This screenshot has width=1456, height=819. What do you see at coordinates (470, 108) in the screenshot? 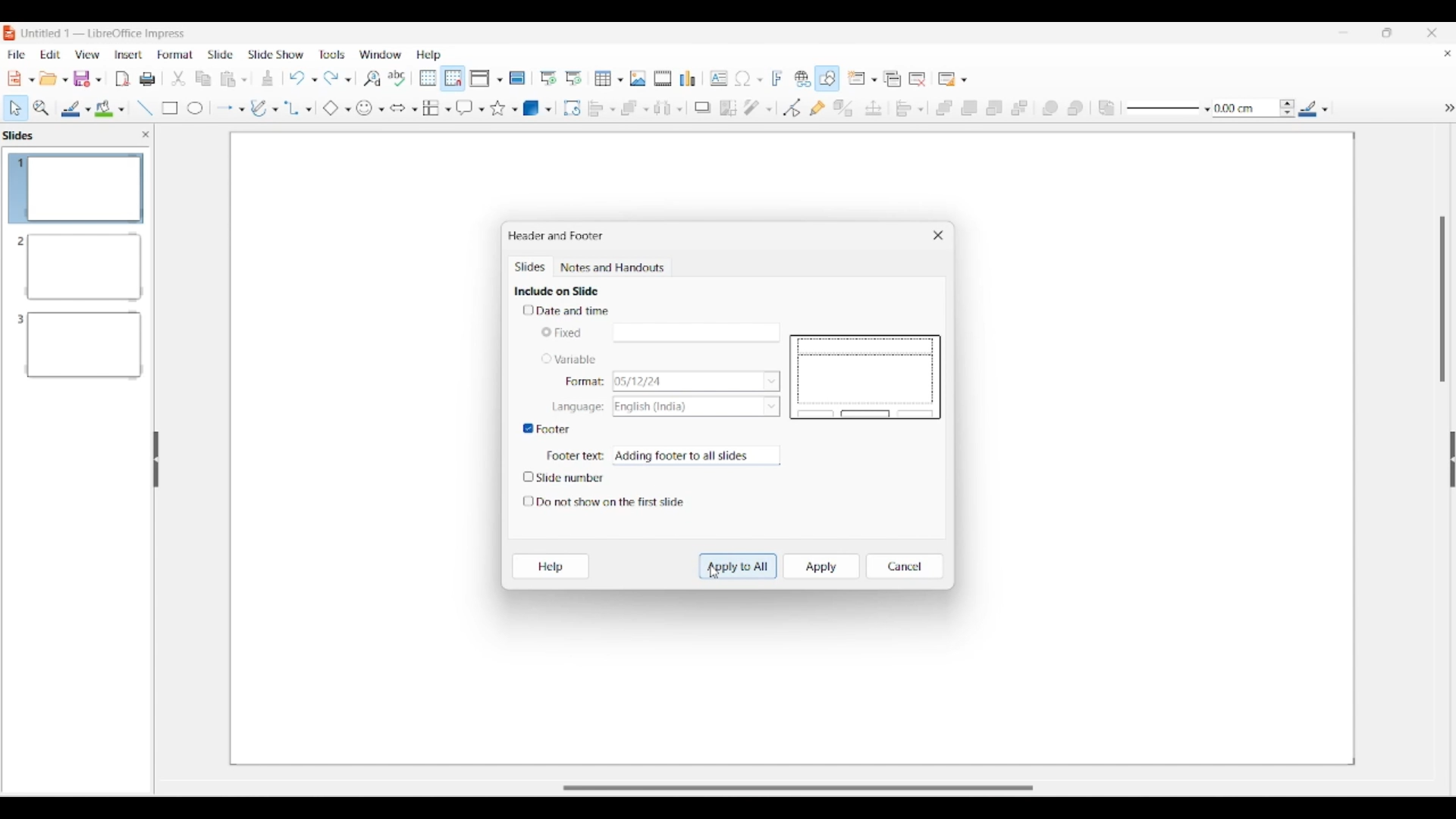
I see `Callout shape options` at bounding box center [470, 108].